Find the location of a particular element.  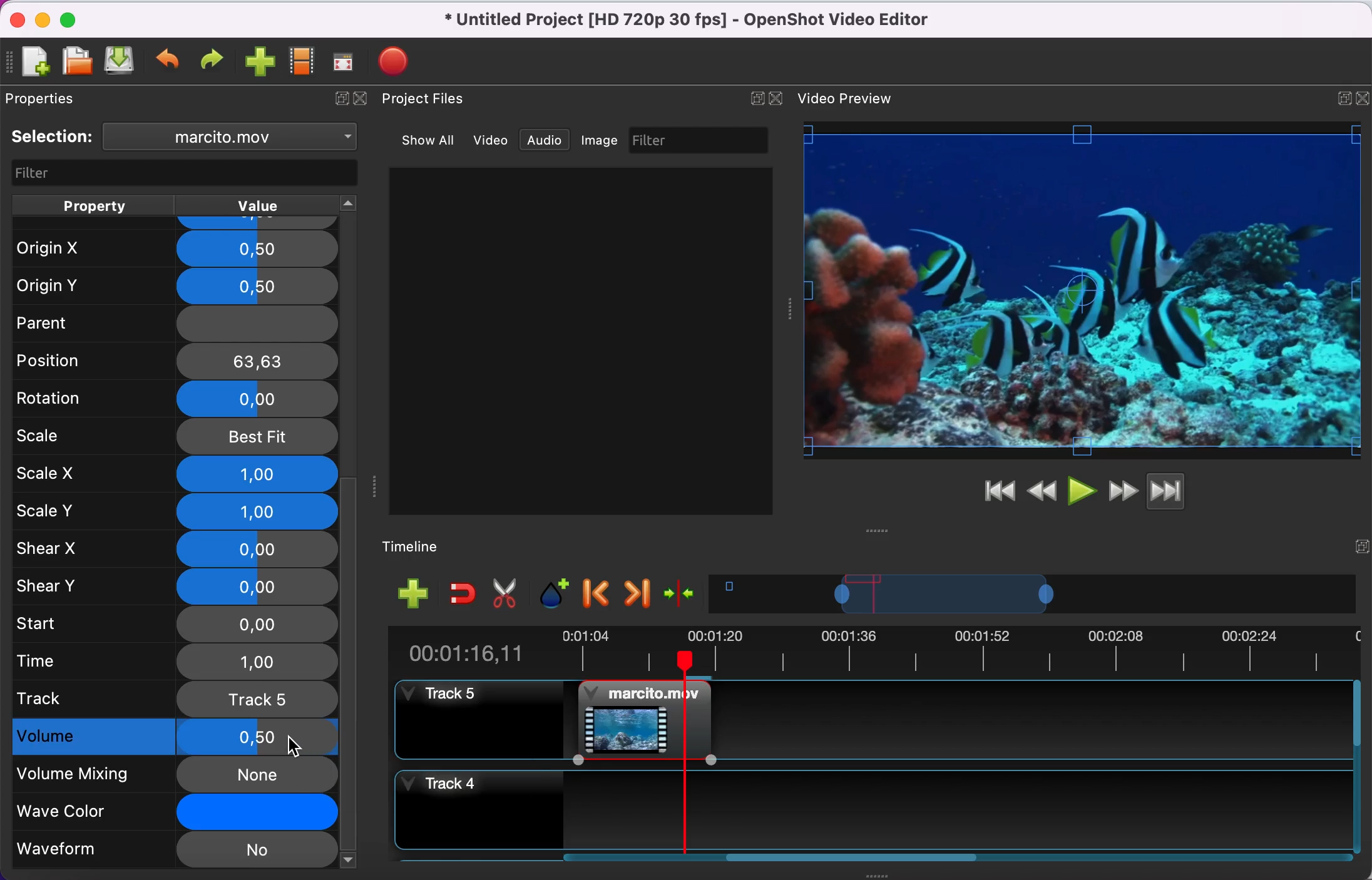

add track is located at coordinates (412, 595).